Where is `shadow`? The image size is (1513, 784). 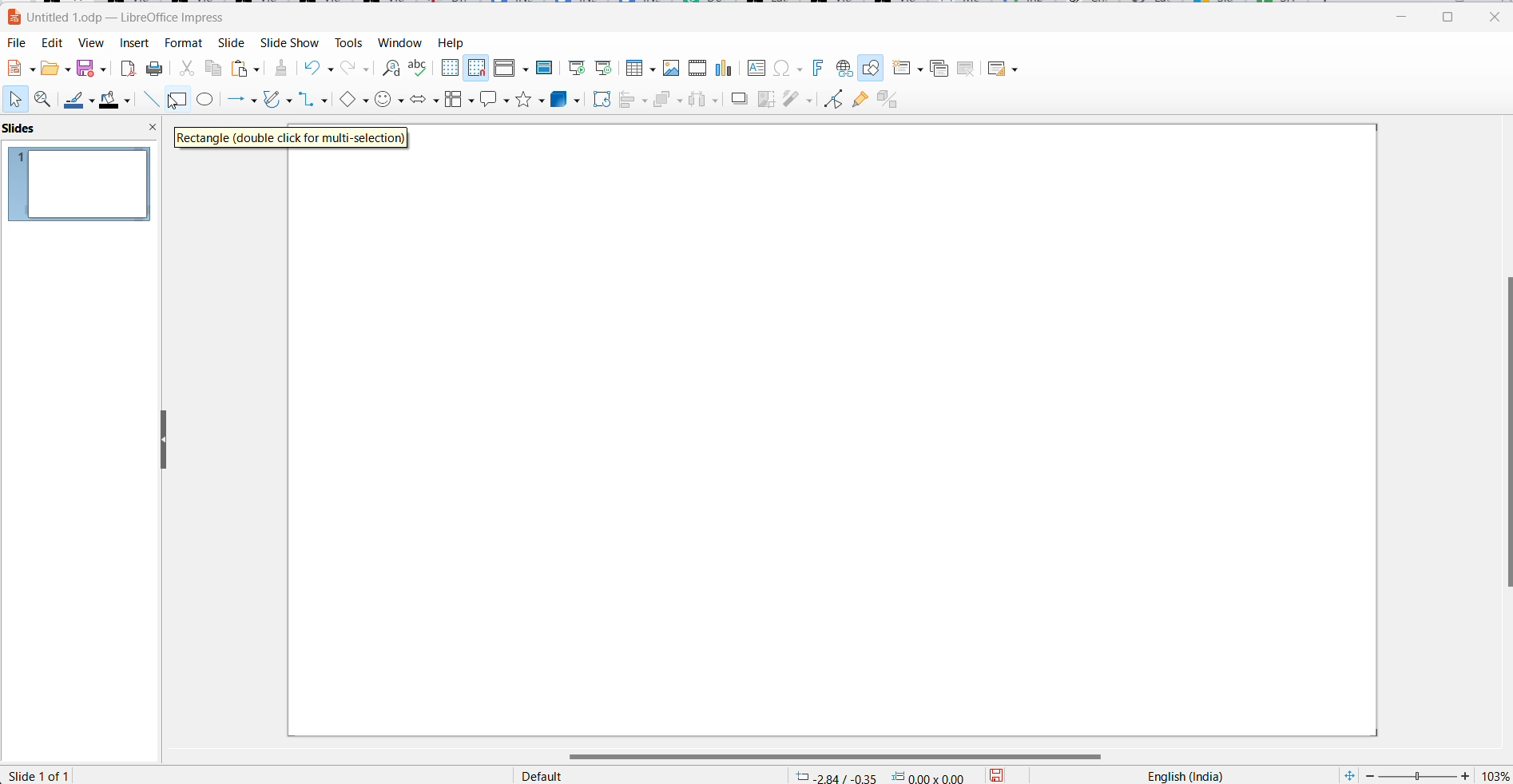
shadow is located at coordinates (738, 101).